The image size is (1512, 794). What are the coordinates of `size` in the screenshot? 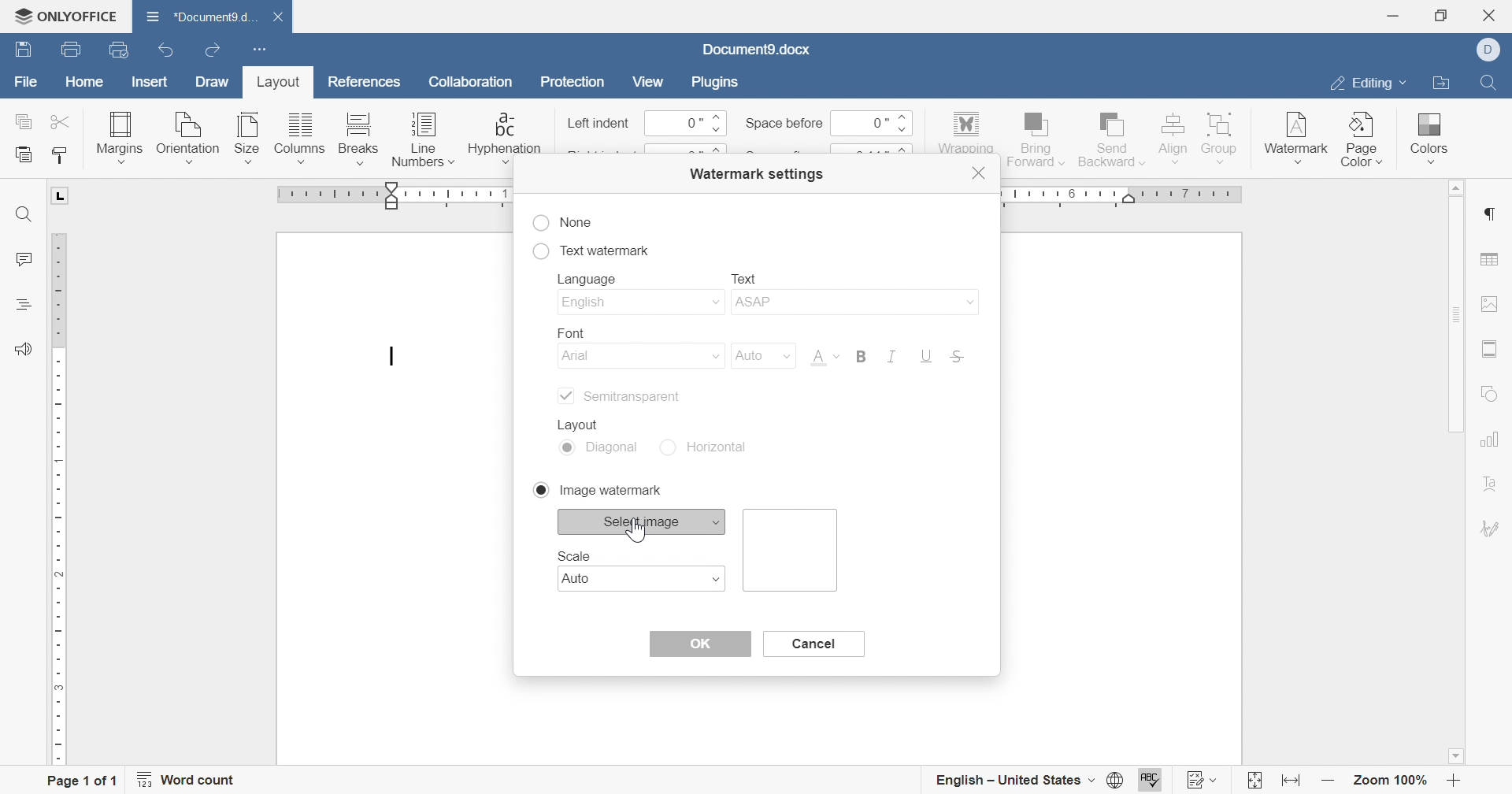 It's located at (246, 138).